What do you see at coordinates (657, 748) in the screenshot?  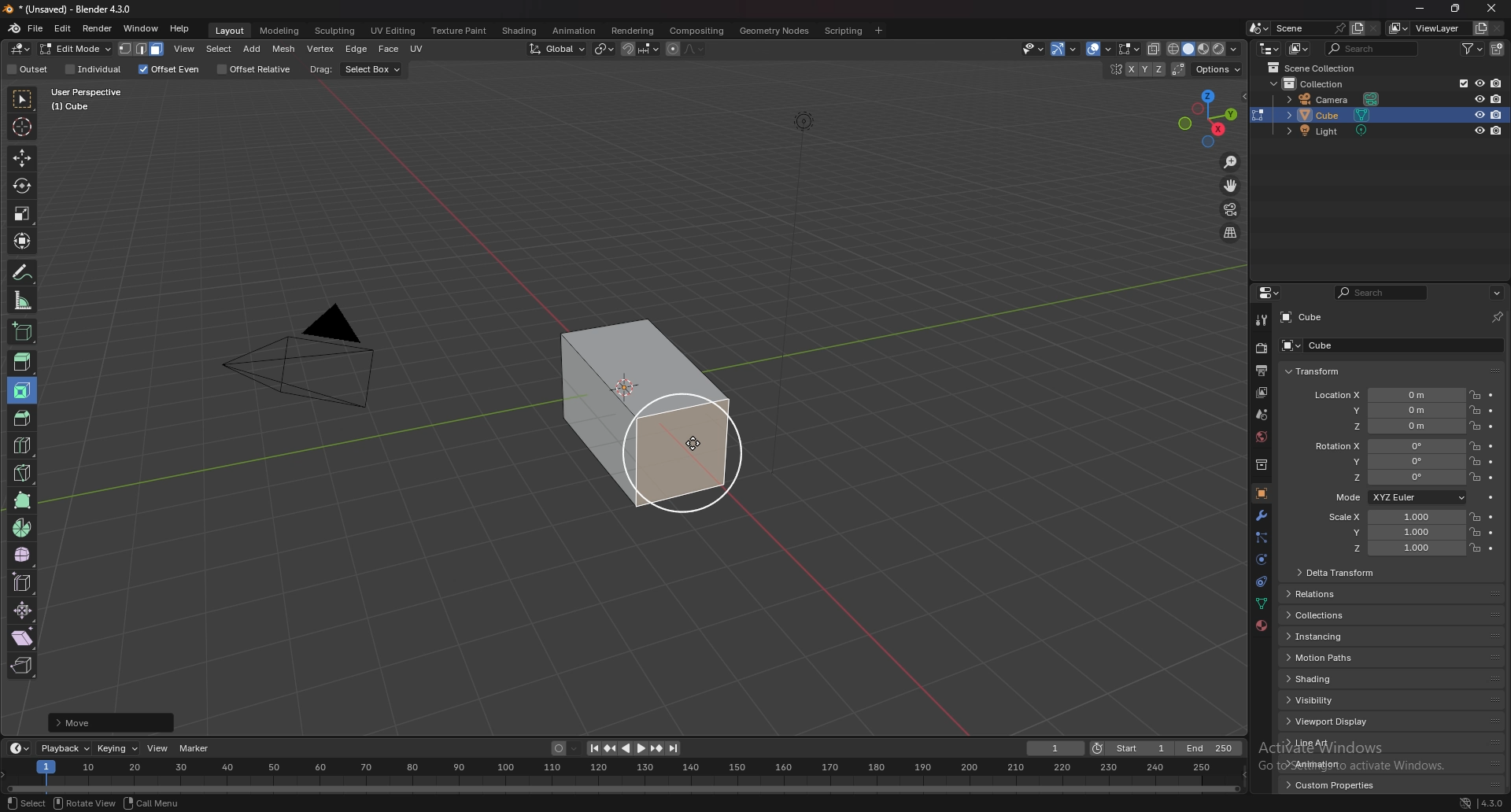 I see `jump to keyframe` at bounding box center [657, 748].